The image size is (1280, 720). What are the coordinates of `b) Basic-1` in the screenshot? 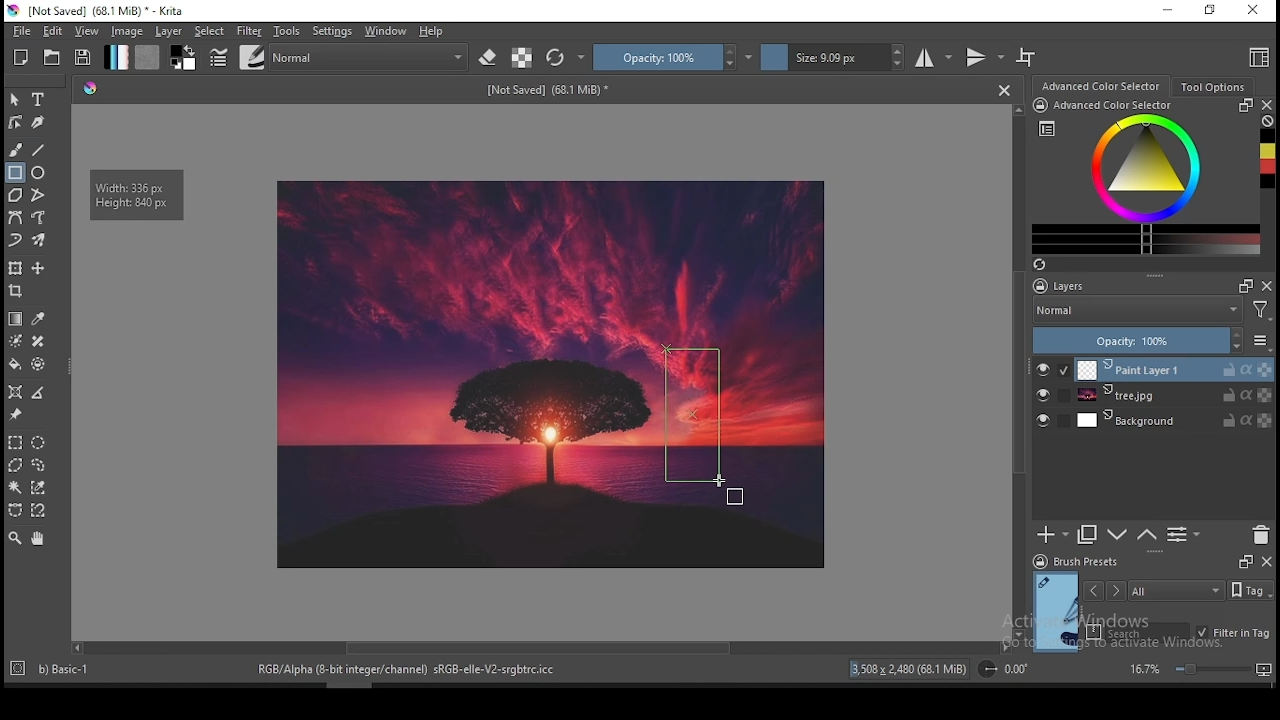 It's located at (55, 666).